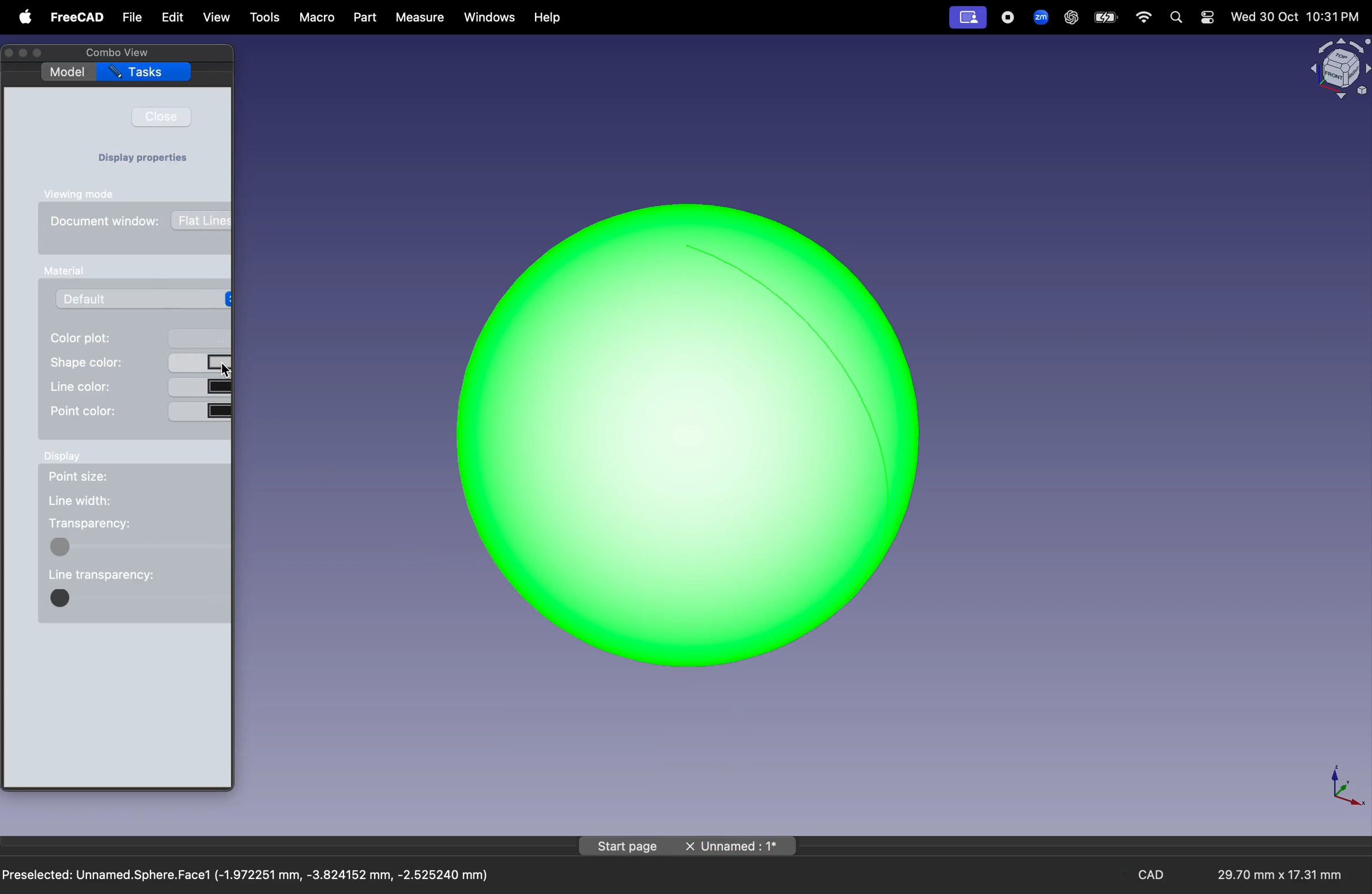  I want to click on tools, so click(266, 18).